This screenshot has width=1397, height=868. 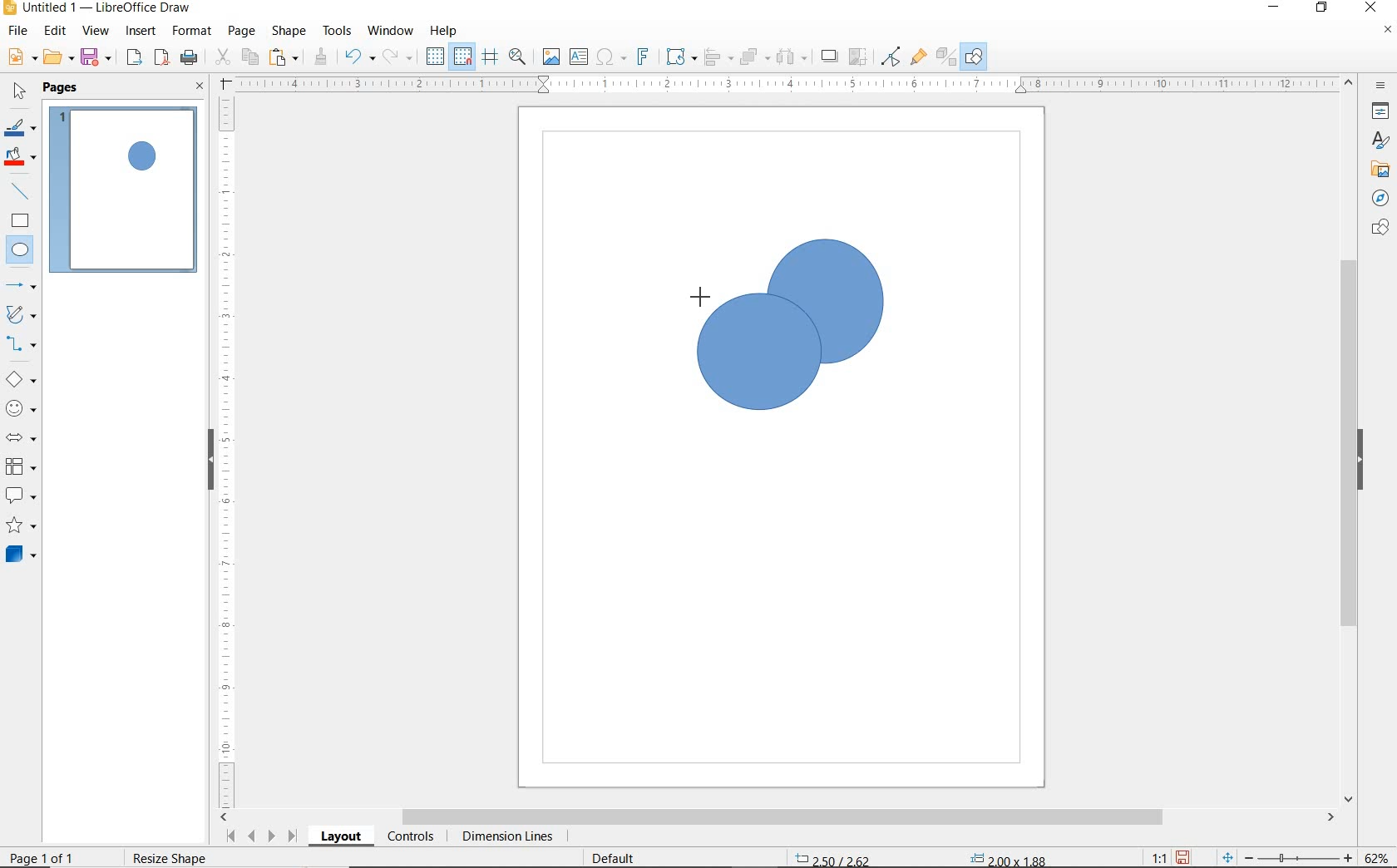 I want to click on ELLIPSE TOOL, so click(x=770, y=368).